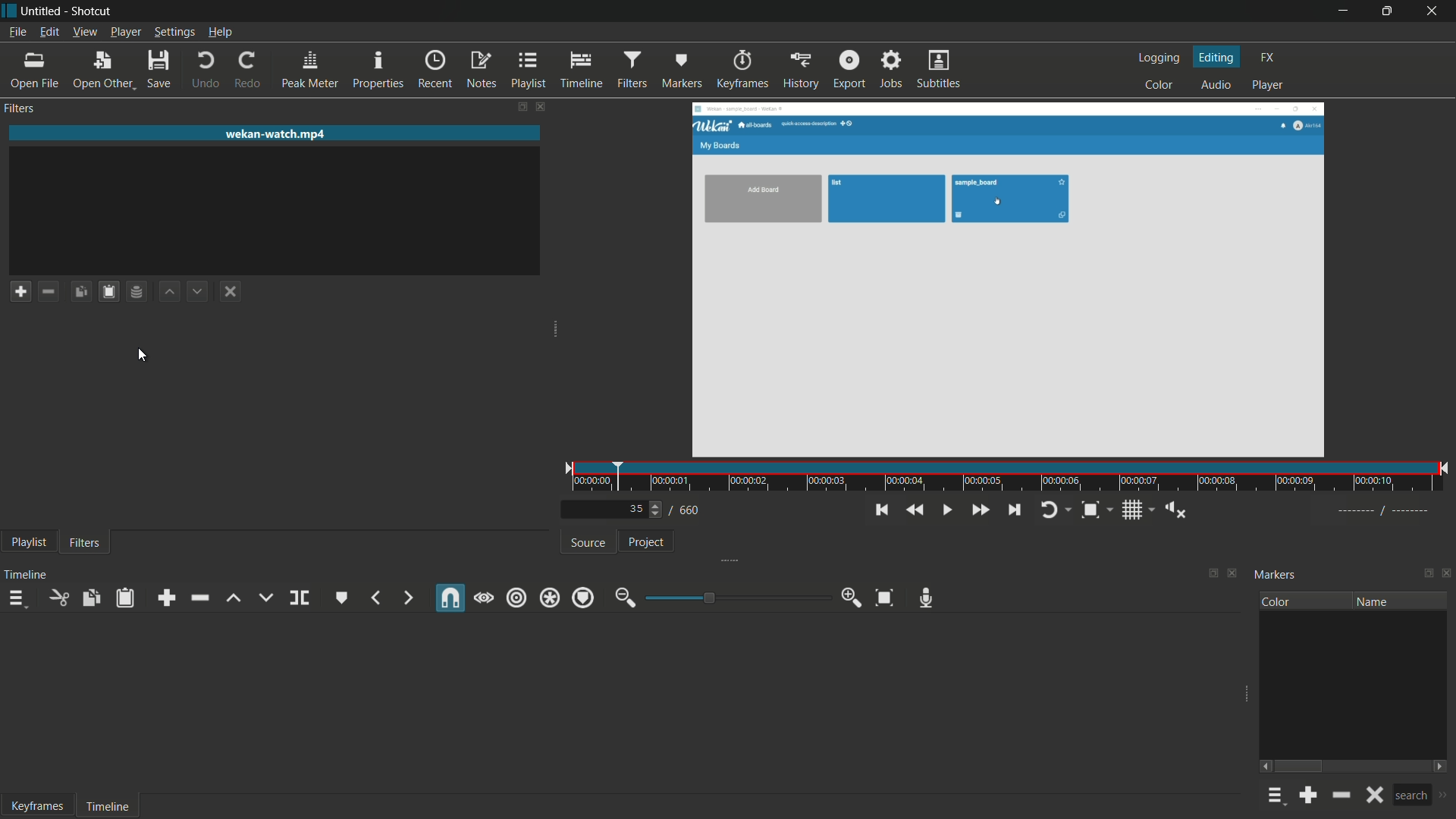 This screenshot has height=819, width=1456. What do you see at coordinates (539, 106) in the screenshot?
I see `close filters` at bounding box center [539, 106].